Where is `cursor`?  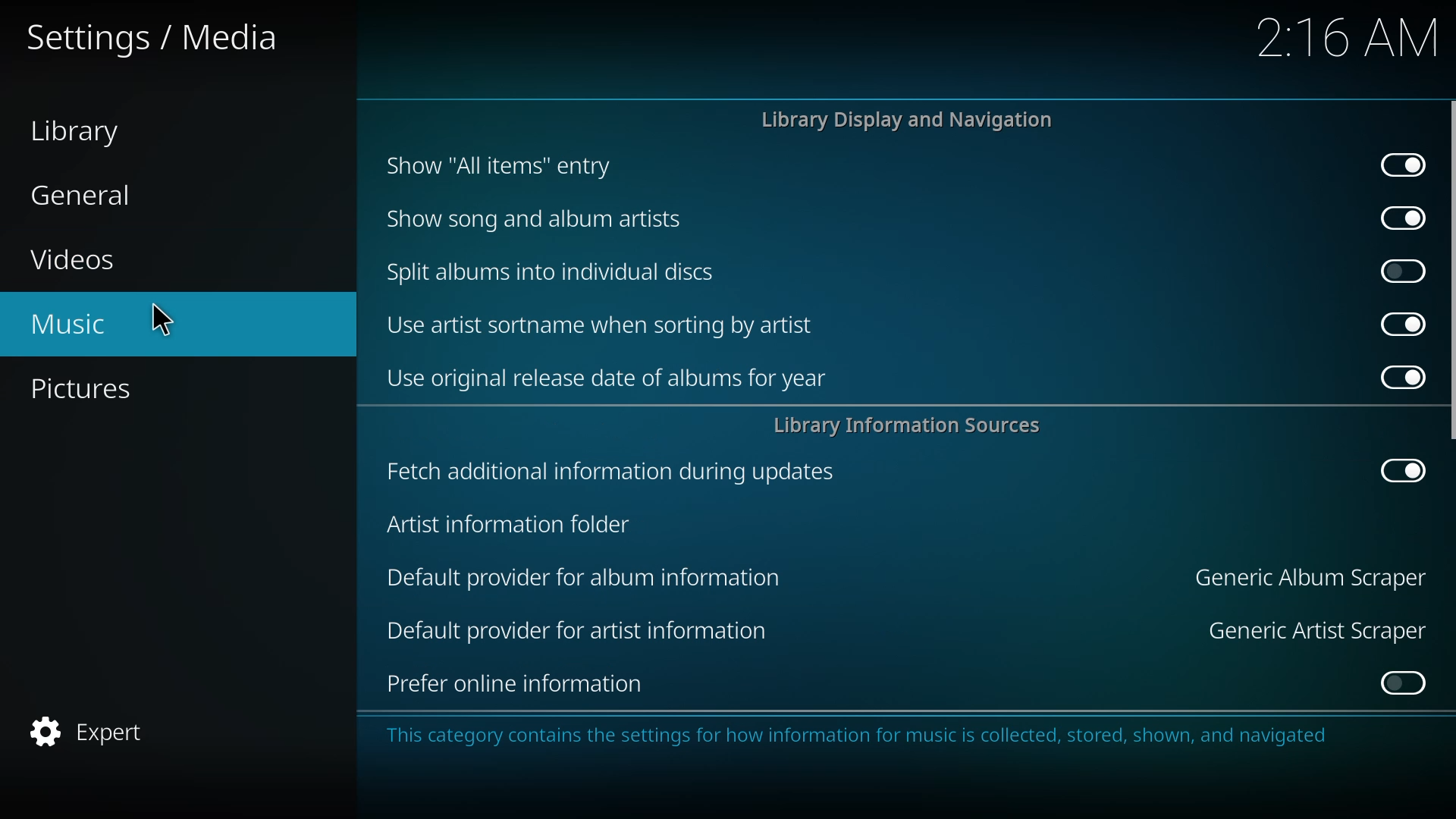
cursor is located at coordinates (162, 319).